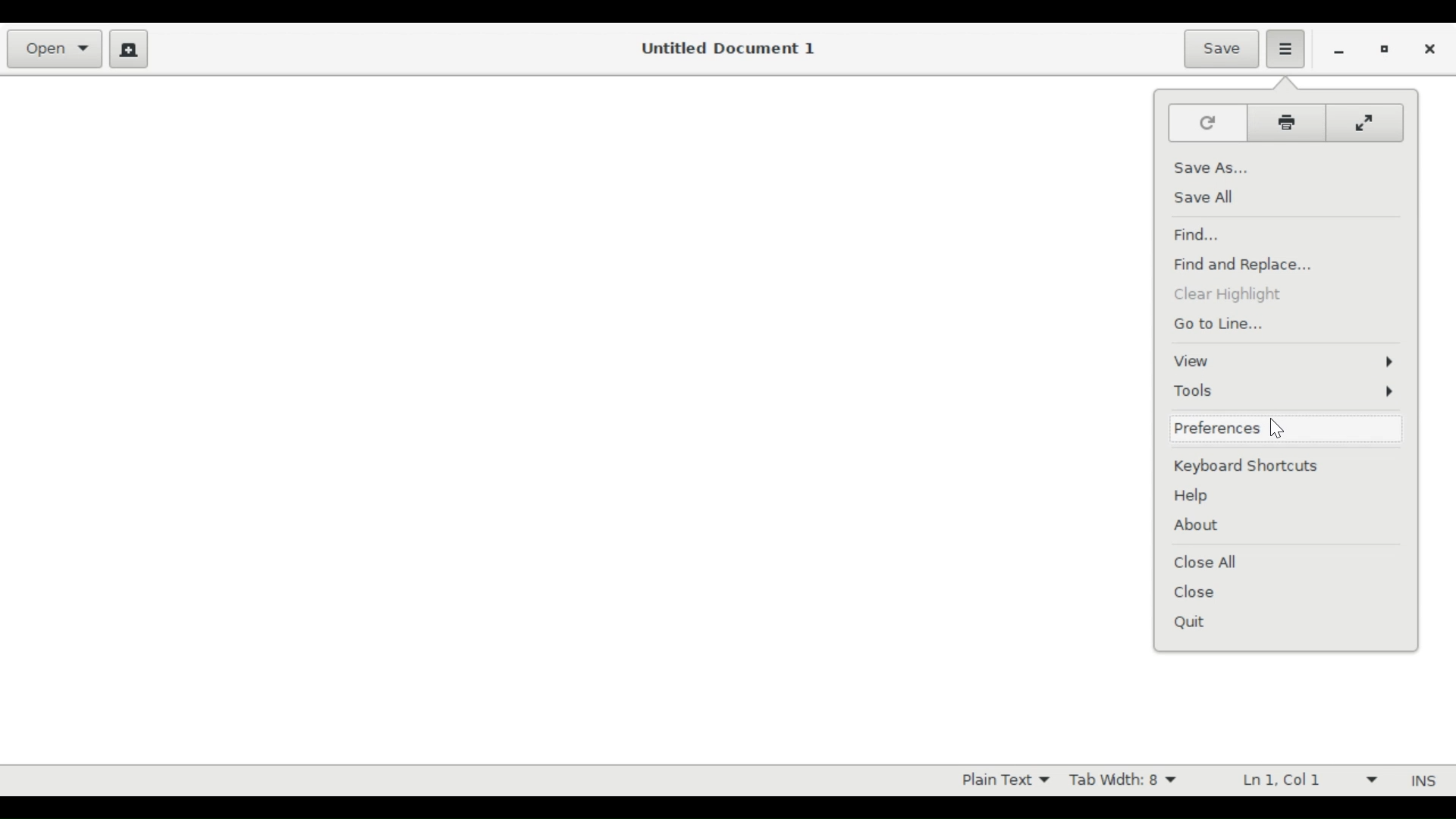  What do you see at coordinates (1214, 429) in the screenshot?
I see `Preferences` at bounding box center [1214, 429].